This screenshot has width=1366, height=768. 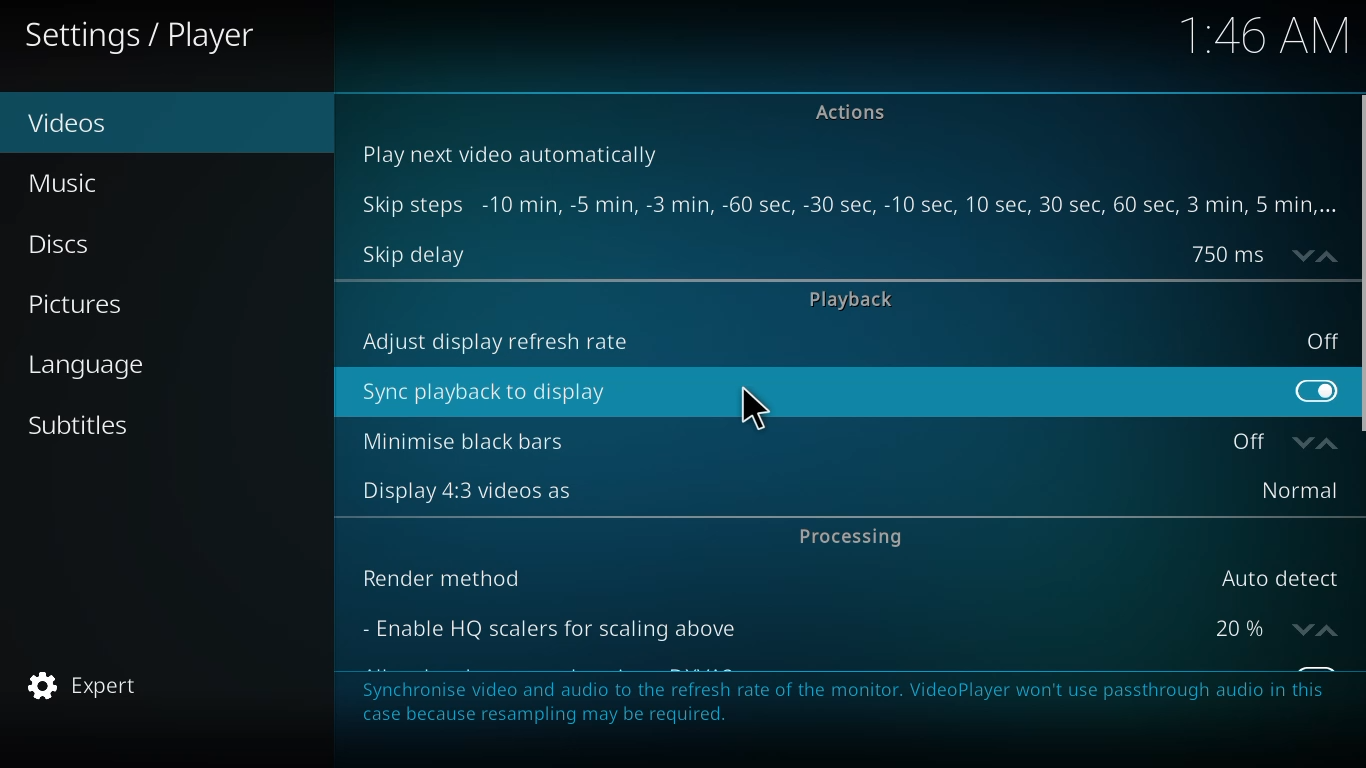 I want to click on subtitles, so click(x=87, y=423).